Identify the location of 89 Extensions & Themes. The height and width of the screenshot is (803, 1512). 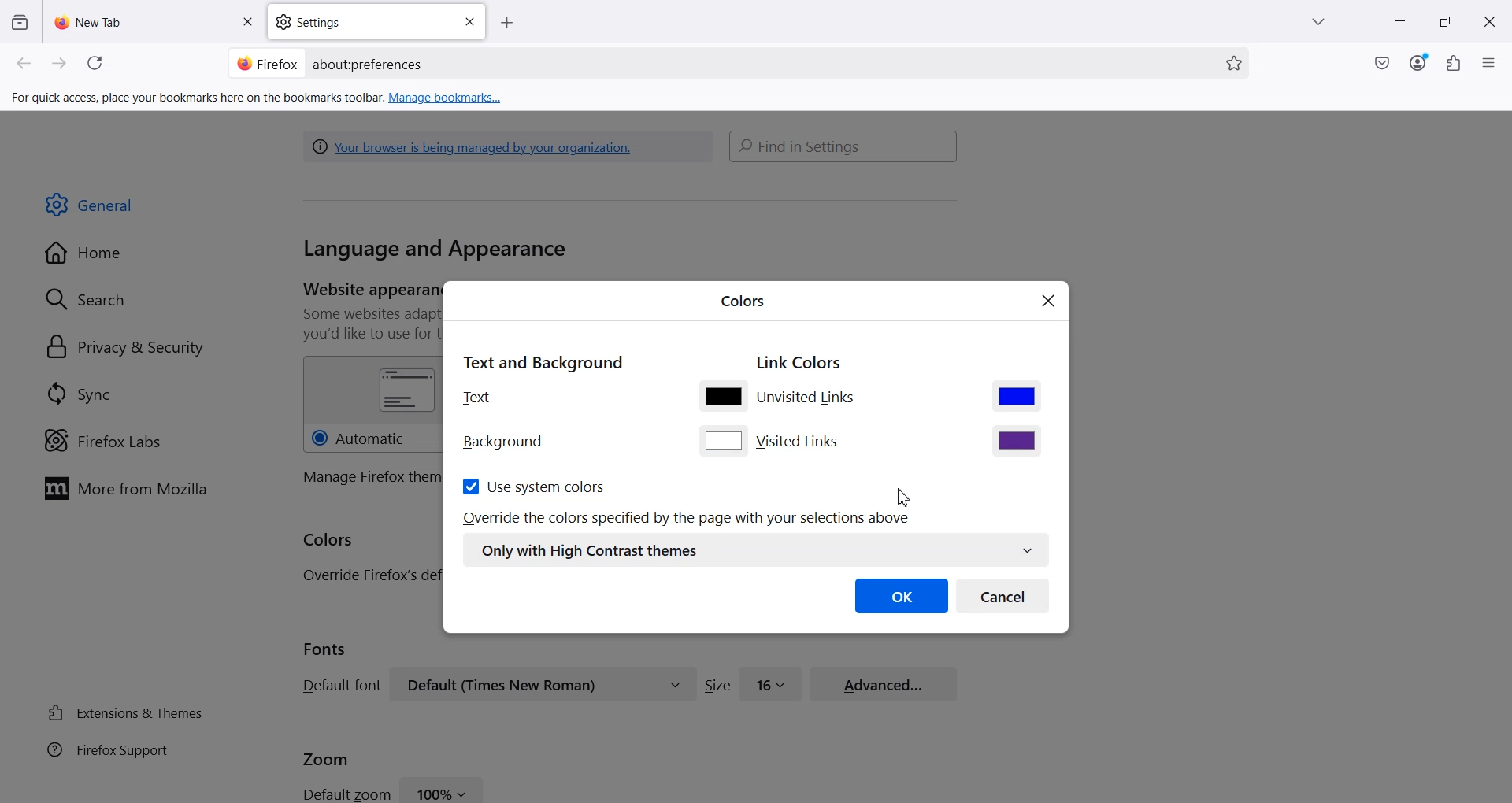
(124, 712).